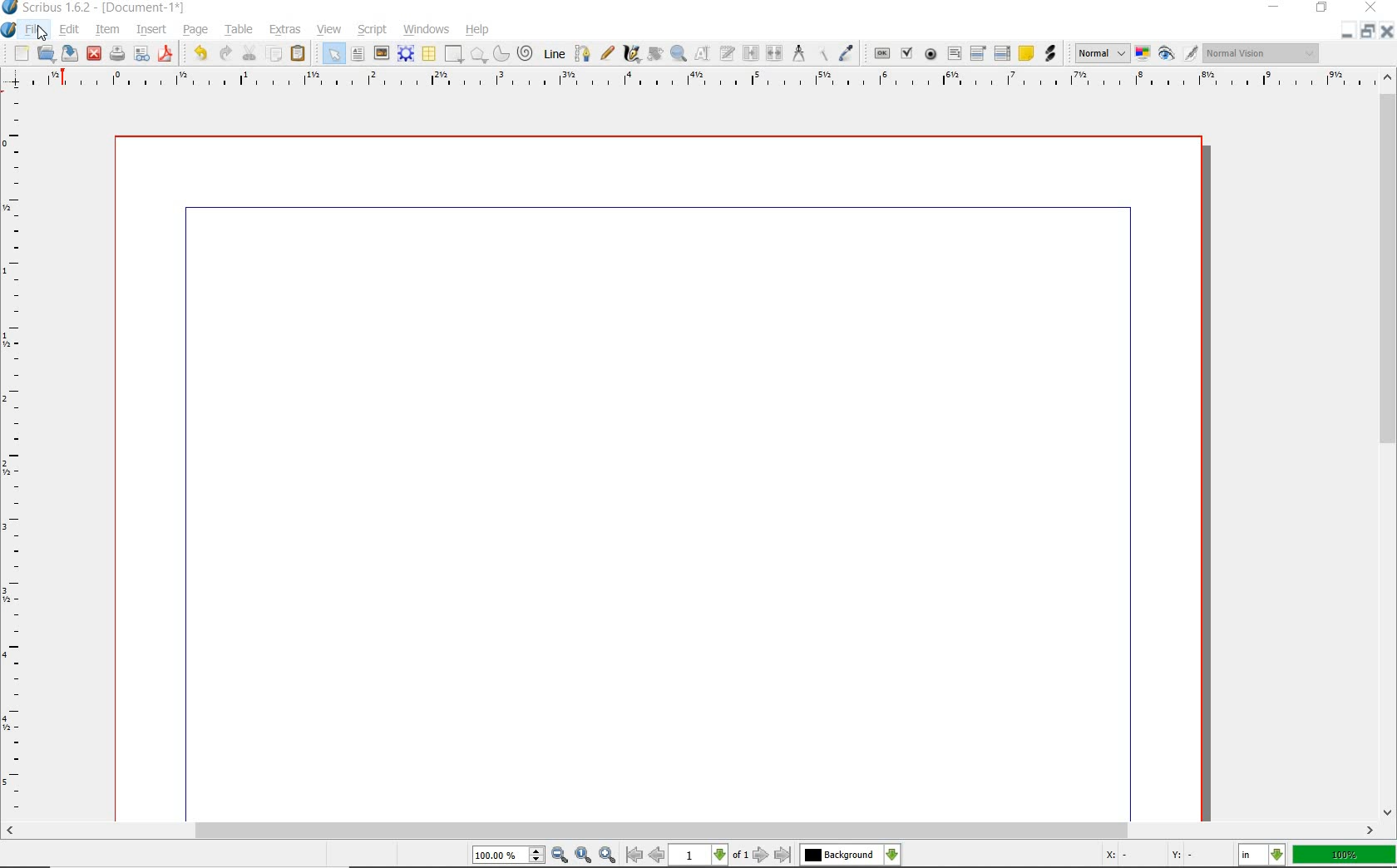 This screenshot has height=868, width=1397. Describe the element at coordinates (1051, 54) in the screenshot. I see `link annotation` at that location.